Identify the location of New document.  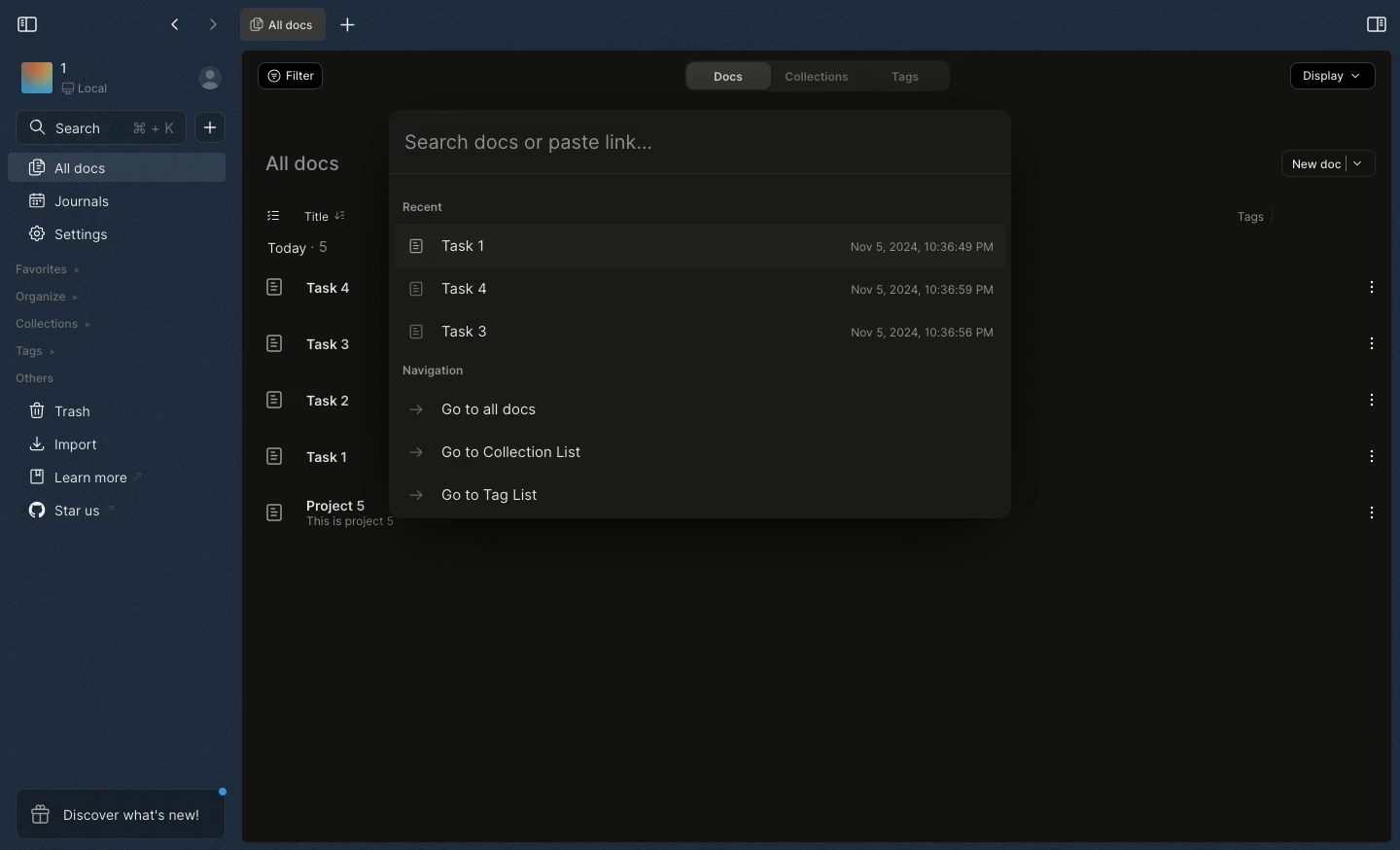
(206, 128).